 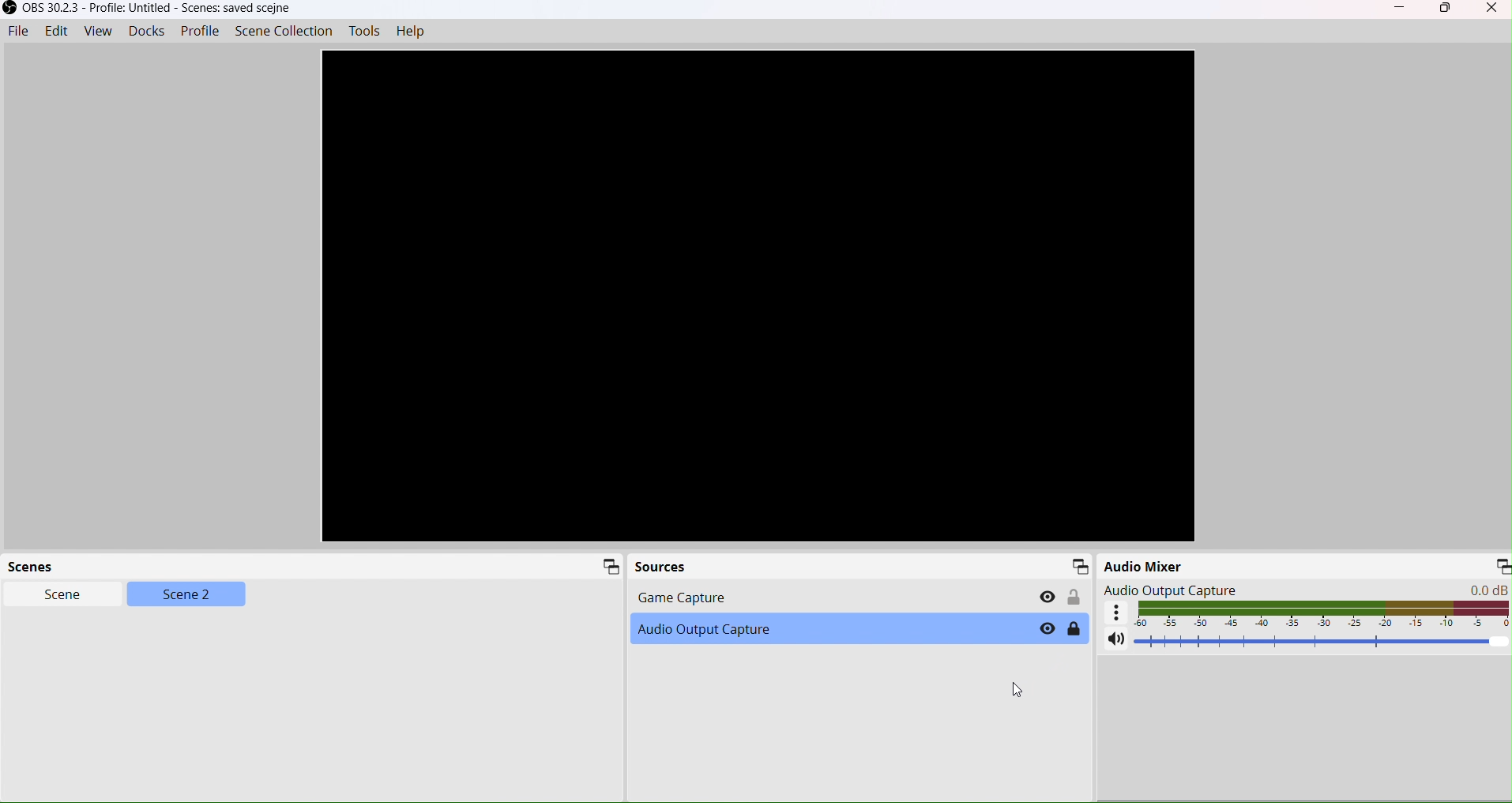 I want to click on Audio Output Capture, so click(x=1183, y=588).